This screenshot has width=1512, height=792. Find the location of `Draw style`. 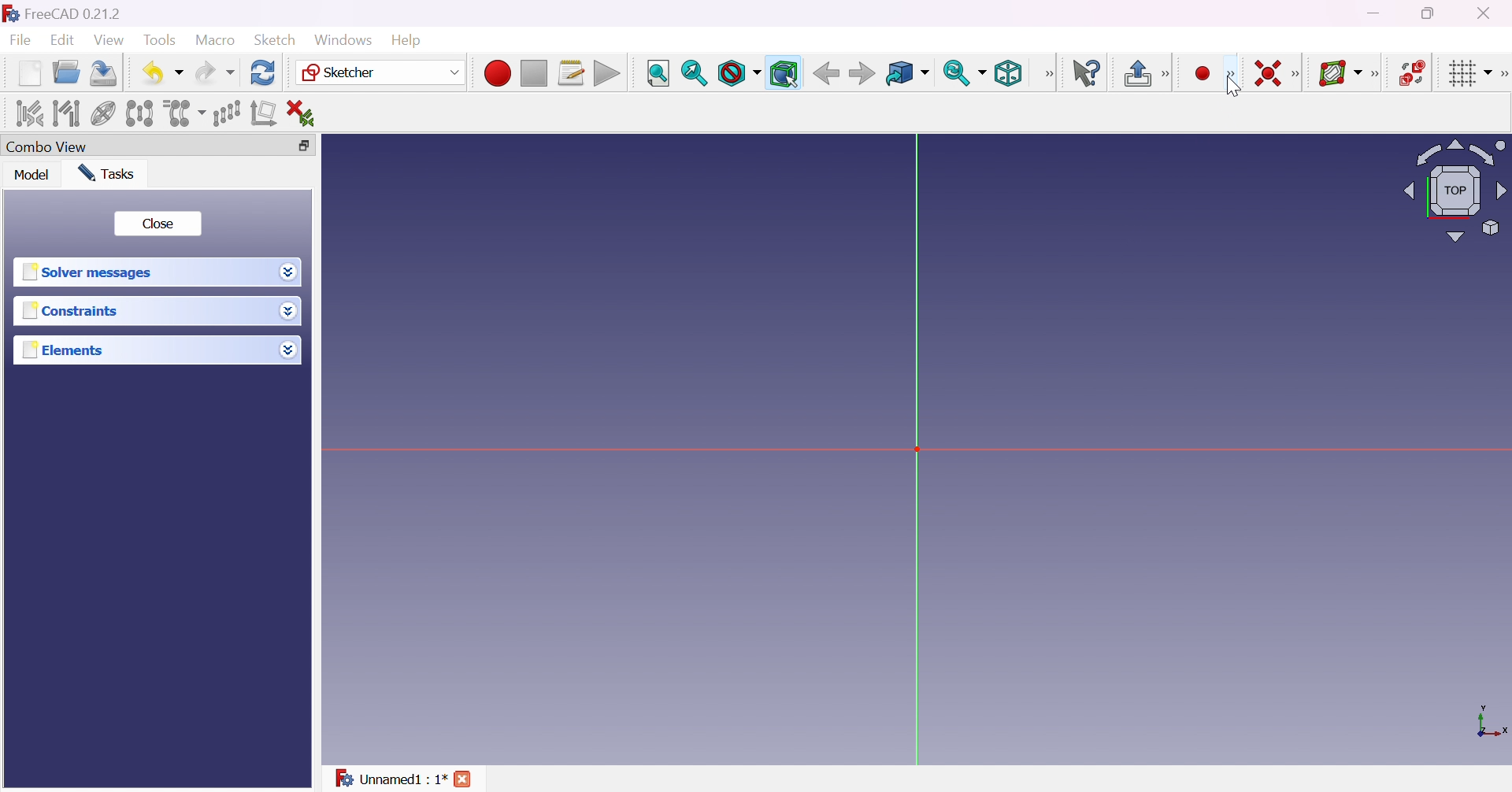

Draw style is located at coordinates (739, 74).